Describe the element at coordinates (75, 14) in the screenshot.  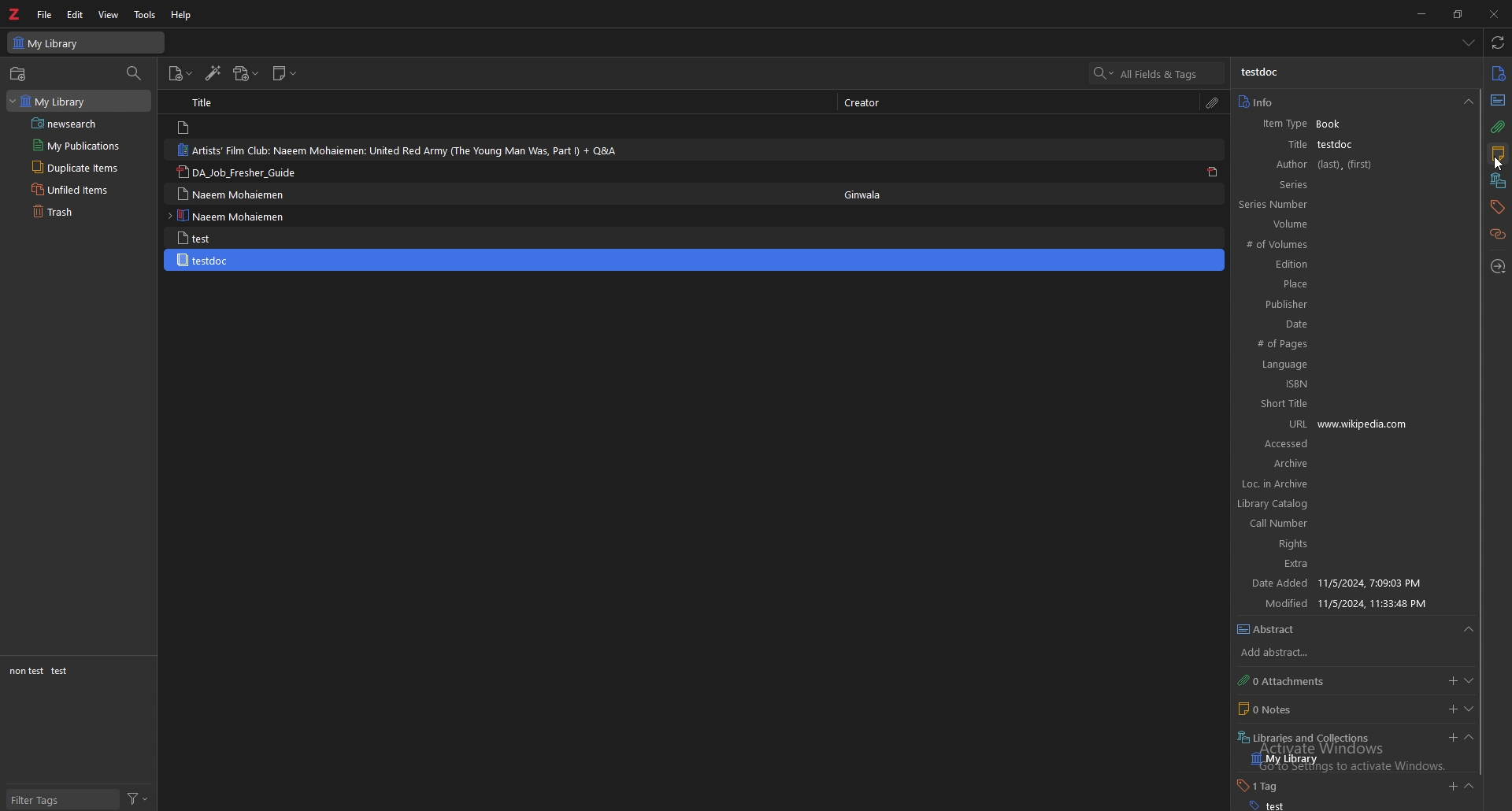
I see `edit` at that location.